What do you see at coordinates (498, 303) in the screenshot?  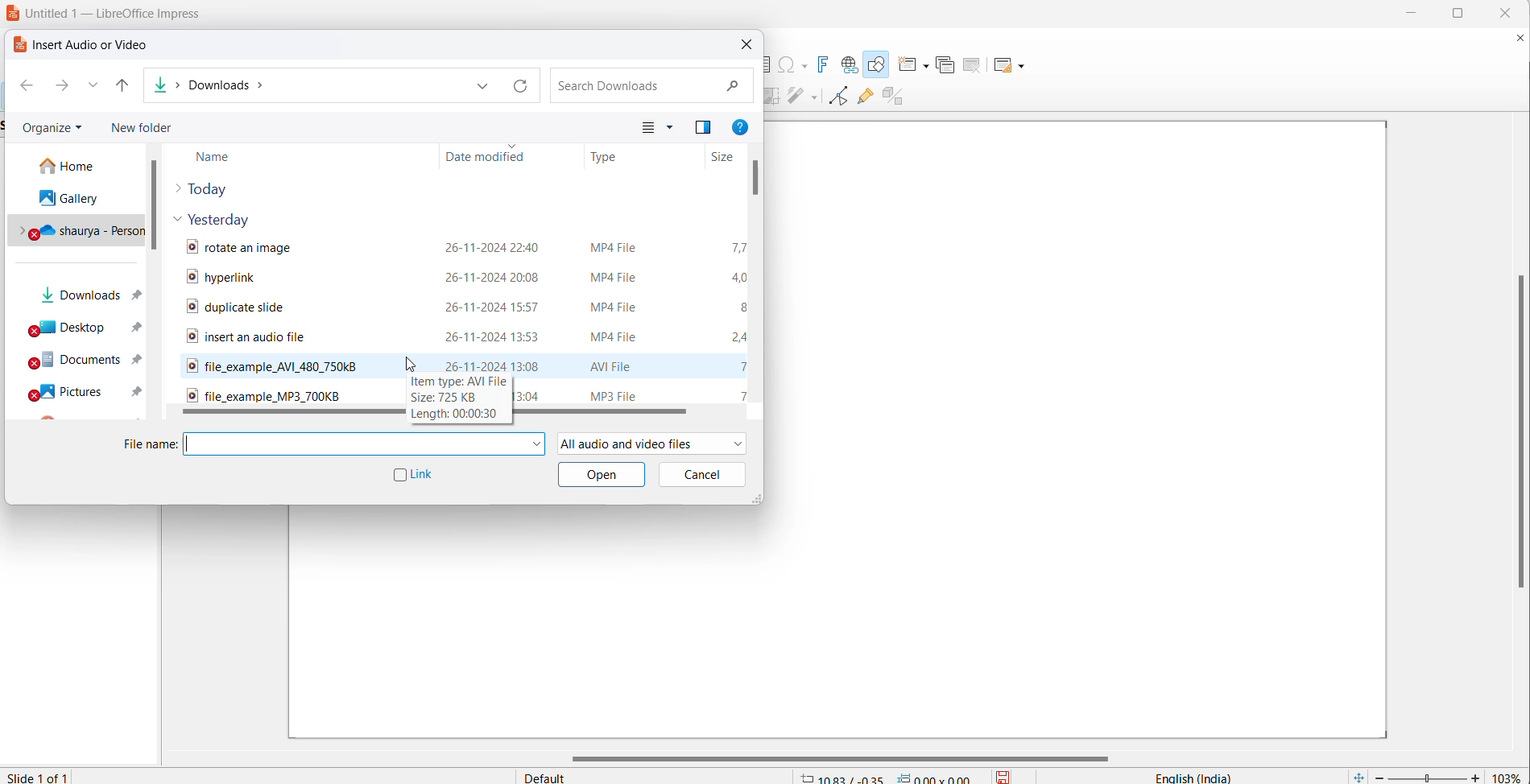 I see `video file modification date` at bounding box center [498, 303].